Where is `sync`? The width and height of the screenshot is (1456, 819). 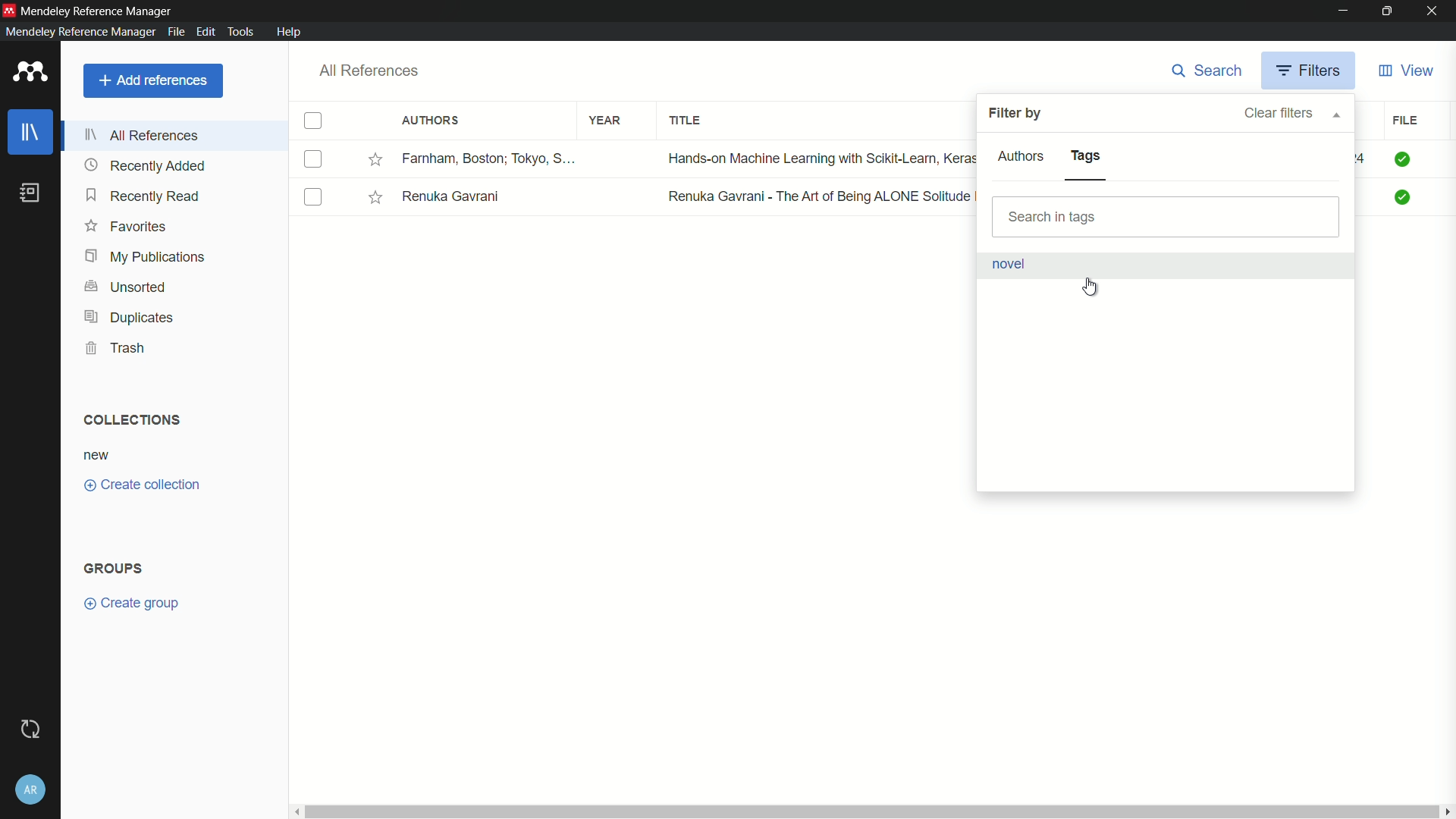
sync is located at coordinates (30, 730).